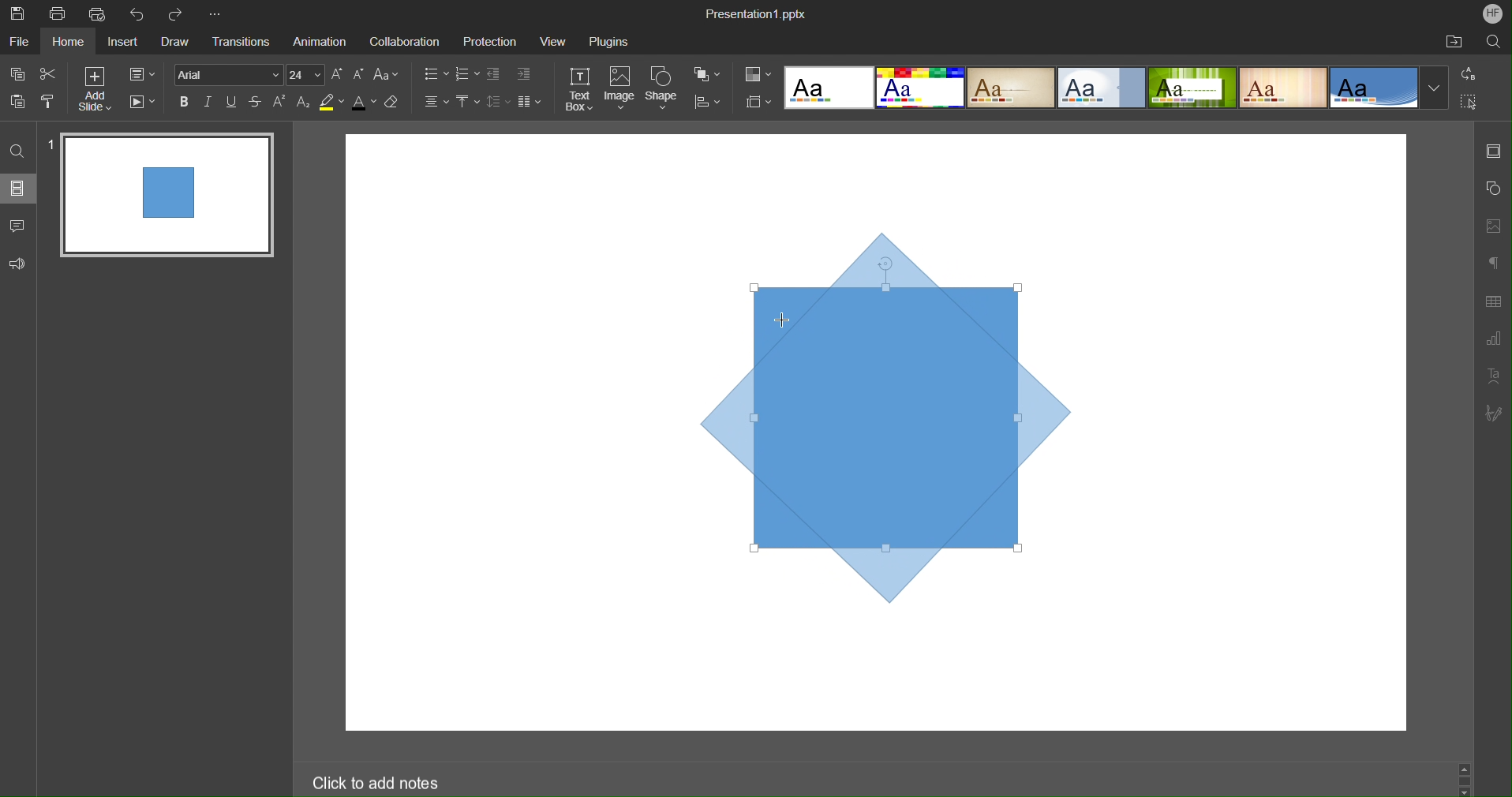 This screenshot has height=797, width=1512. What do you see at coordinates (58, 12) in the screenshot?
I see `Print` at bounding box center [58, 12].